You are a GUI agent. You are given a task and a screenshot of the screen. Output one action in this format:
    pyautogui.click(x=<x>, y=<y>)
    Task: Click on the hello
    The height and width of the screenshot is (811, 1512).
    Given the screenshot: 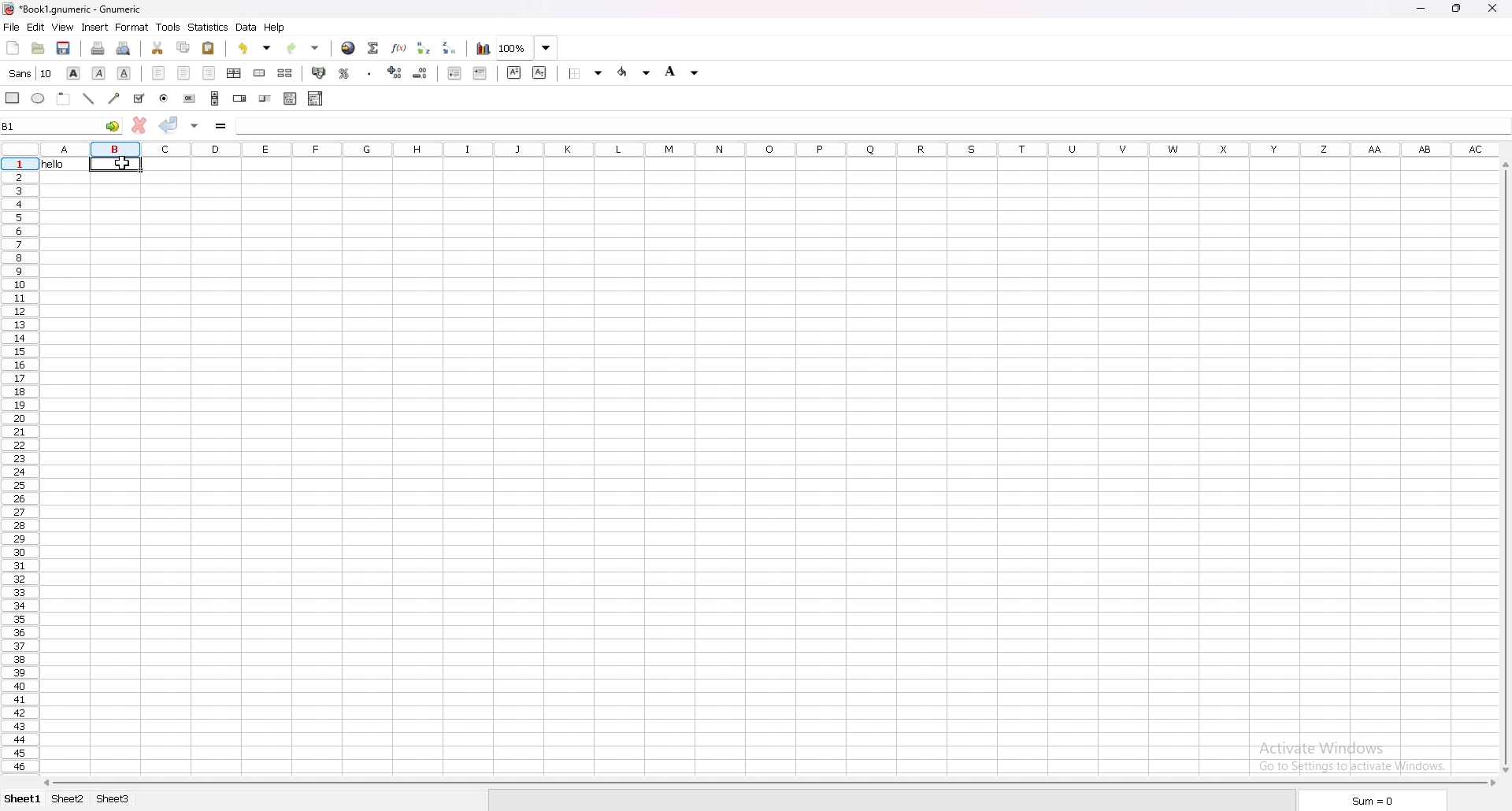 What is the action you would take?
    pyautogui.click(x=56, y=165)
    